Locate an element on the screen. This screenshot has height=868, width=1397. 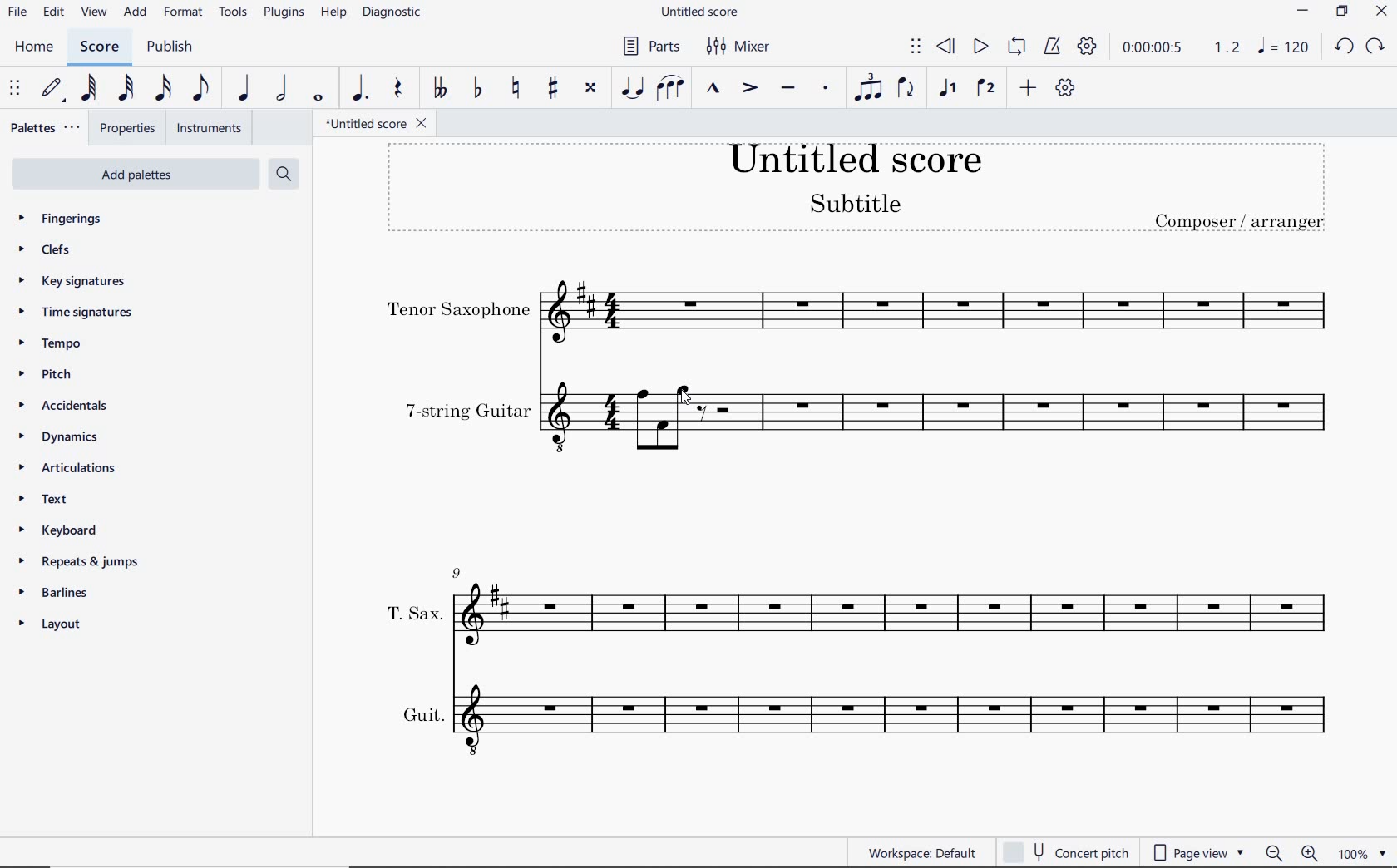
cursor is located at coordinates (686, 392).